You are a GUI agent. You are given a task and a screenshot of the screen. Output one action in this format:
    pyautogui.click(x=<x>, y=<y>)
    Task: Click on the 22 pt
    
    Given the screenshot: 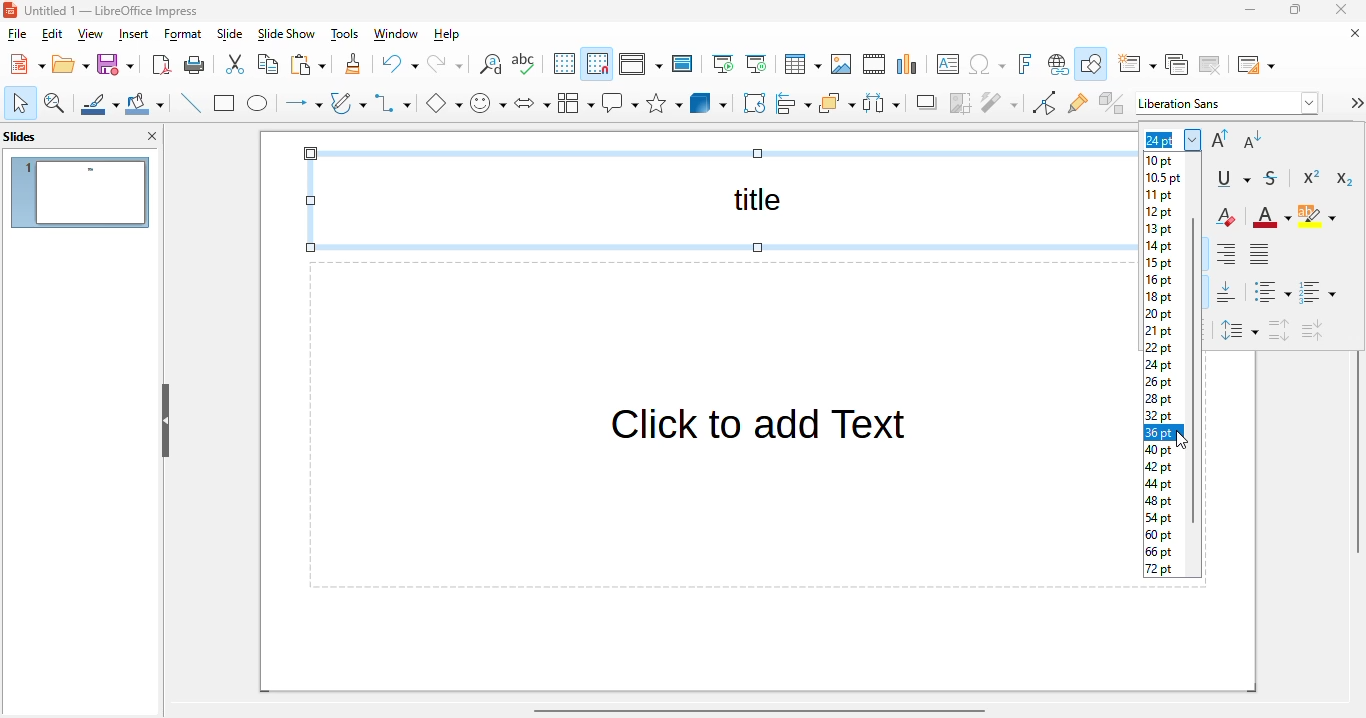 What is the action you would take?
    pyautogui.click(x=1159, y=348)
    